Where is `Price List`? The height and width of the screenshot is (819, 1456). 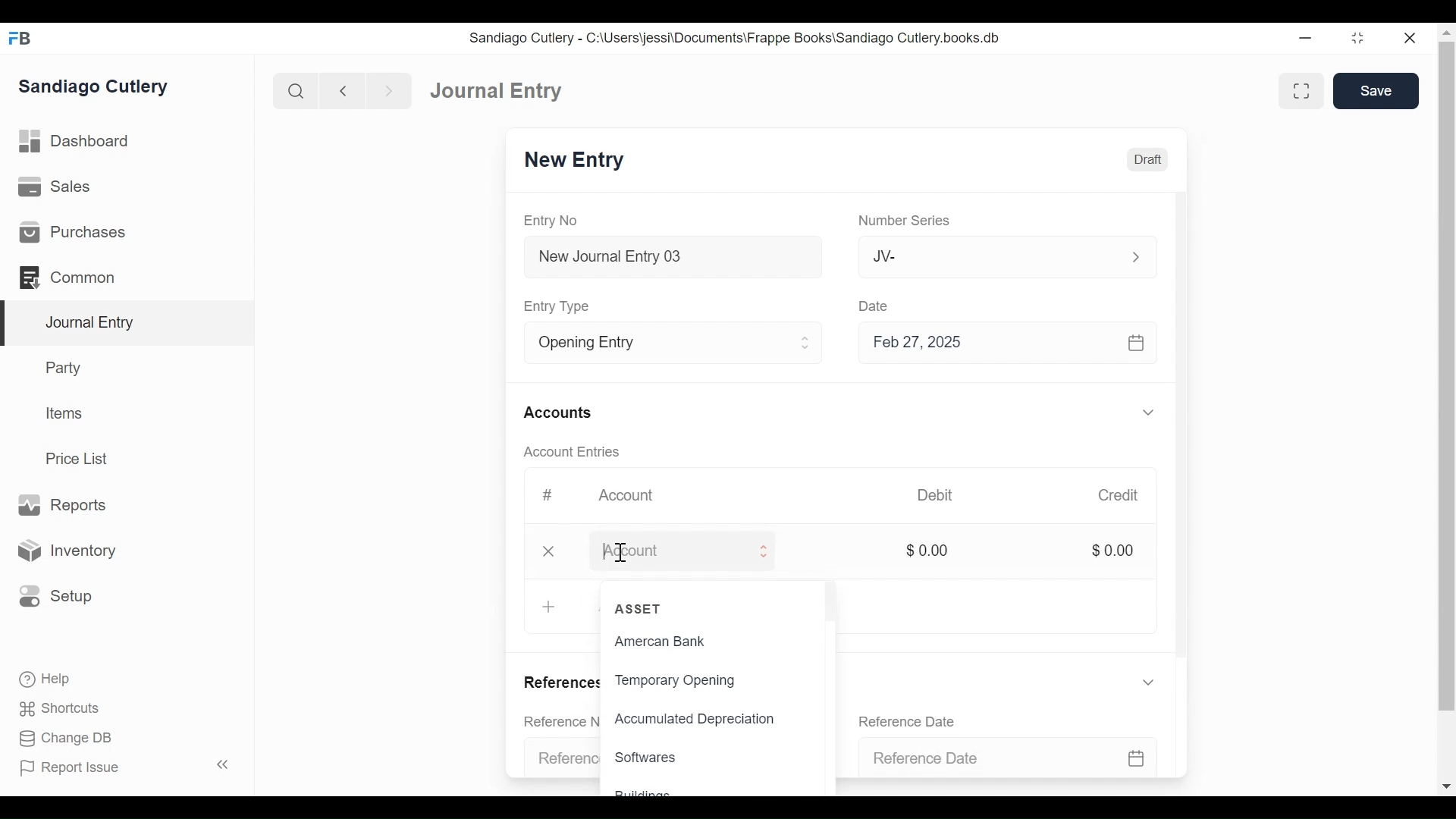 Price List is located at coordinates (80, 458).